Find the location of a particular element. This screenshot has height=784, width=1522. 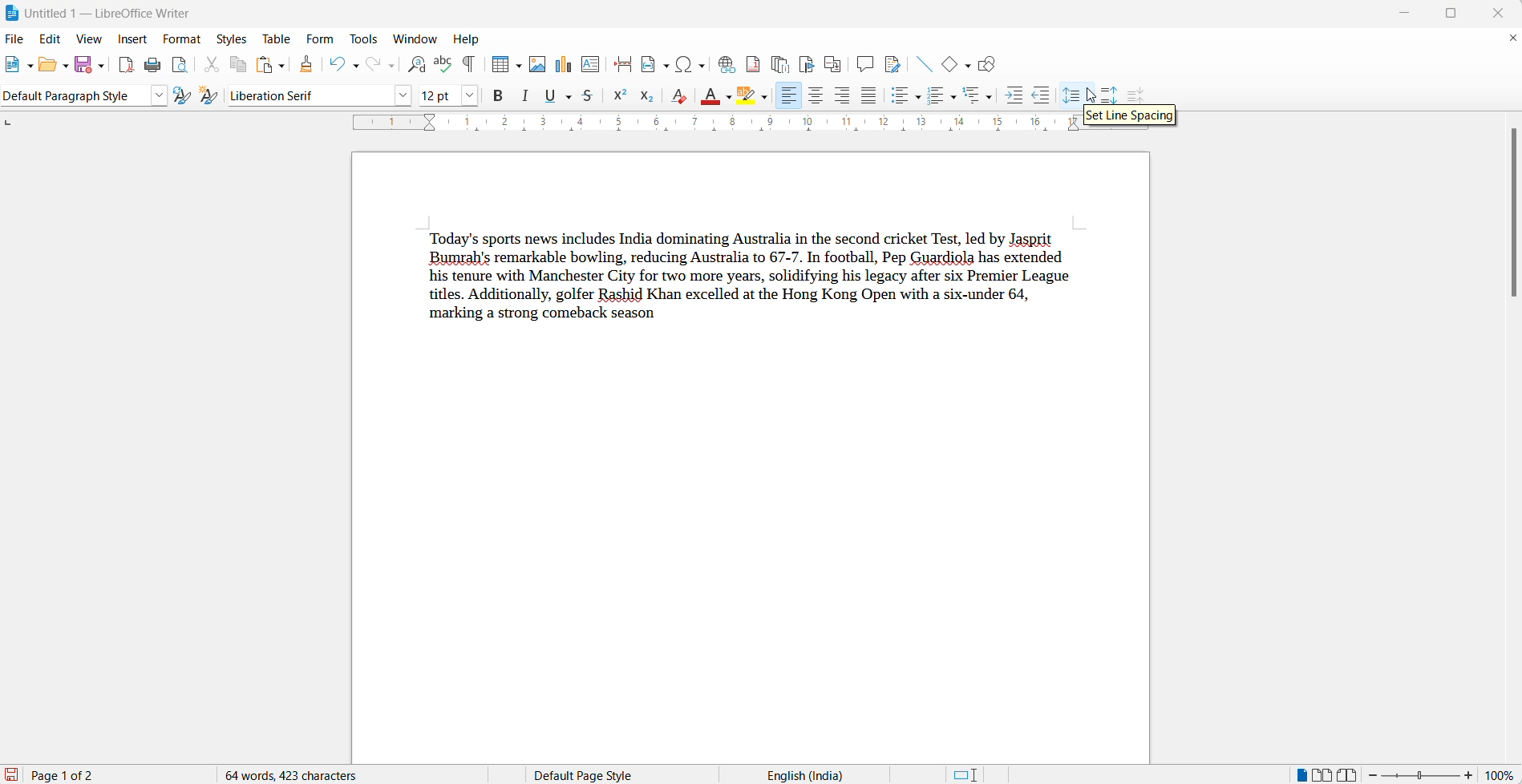

minimize is located at coordinates (1401, 15).